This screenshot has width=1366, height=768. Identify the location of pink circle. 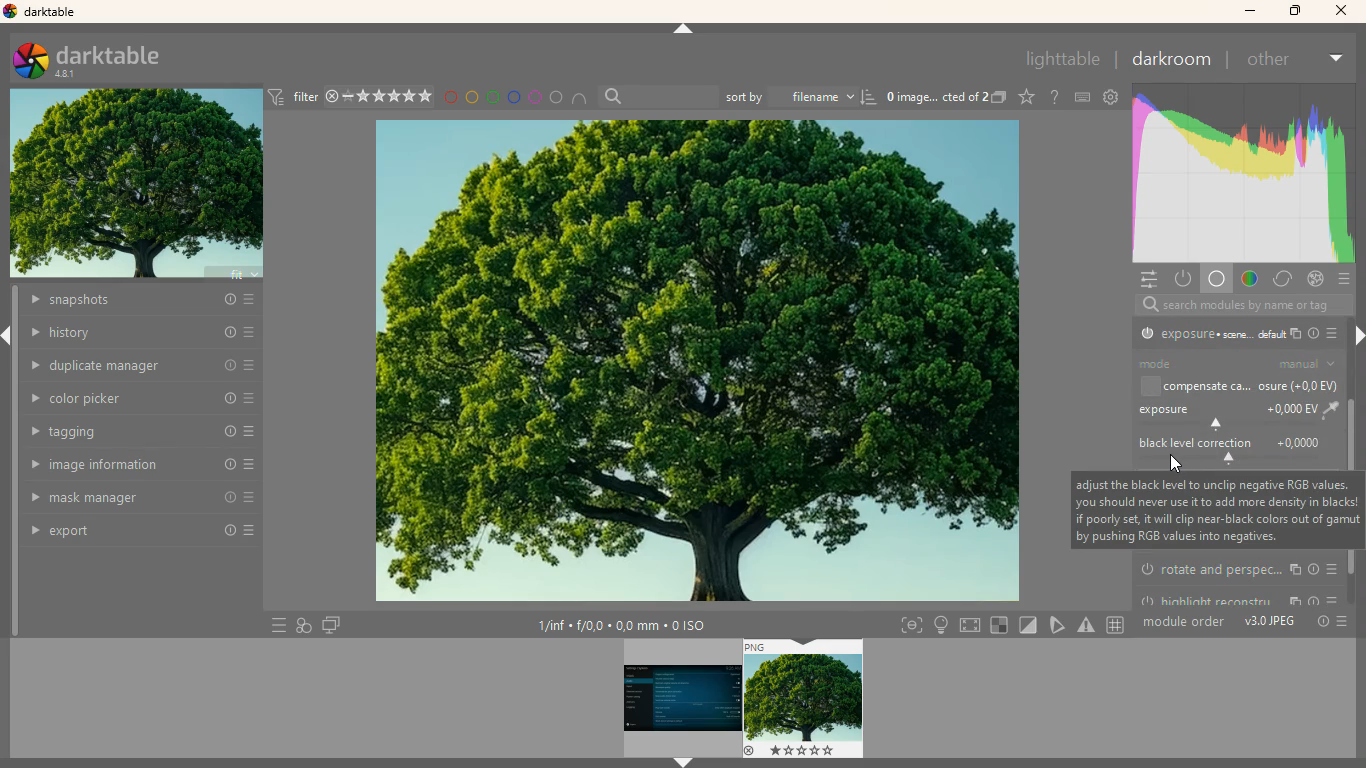
(534, 95).